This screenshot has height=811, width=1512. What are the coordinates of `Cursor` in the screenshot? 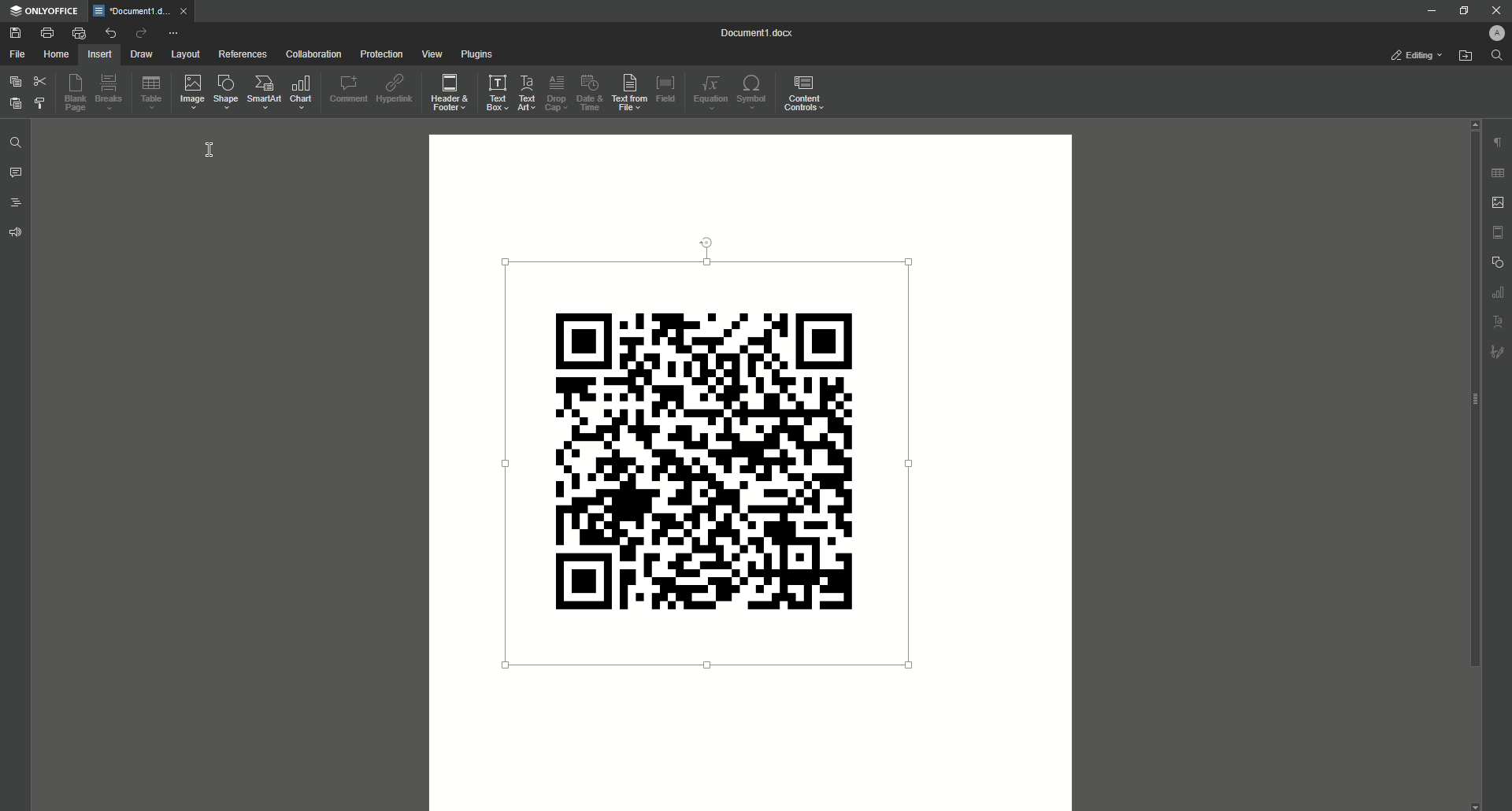 It's located at (212, 151).